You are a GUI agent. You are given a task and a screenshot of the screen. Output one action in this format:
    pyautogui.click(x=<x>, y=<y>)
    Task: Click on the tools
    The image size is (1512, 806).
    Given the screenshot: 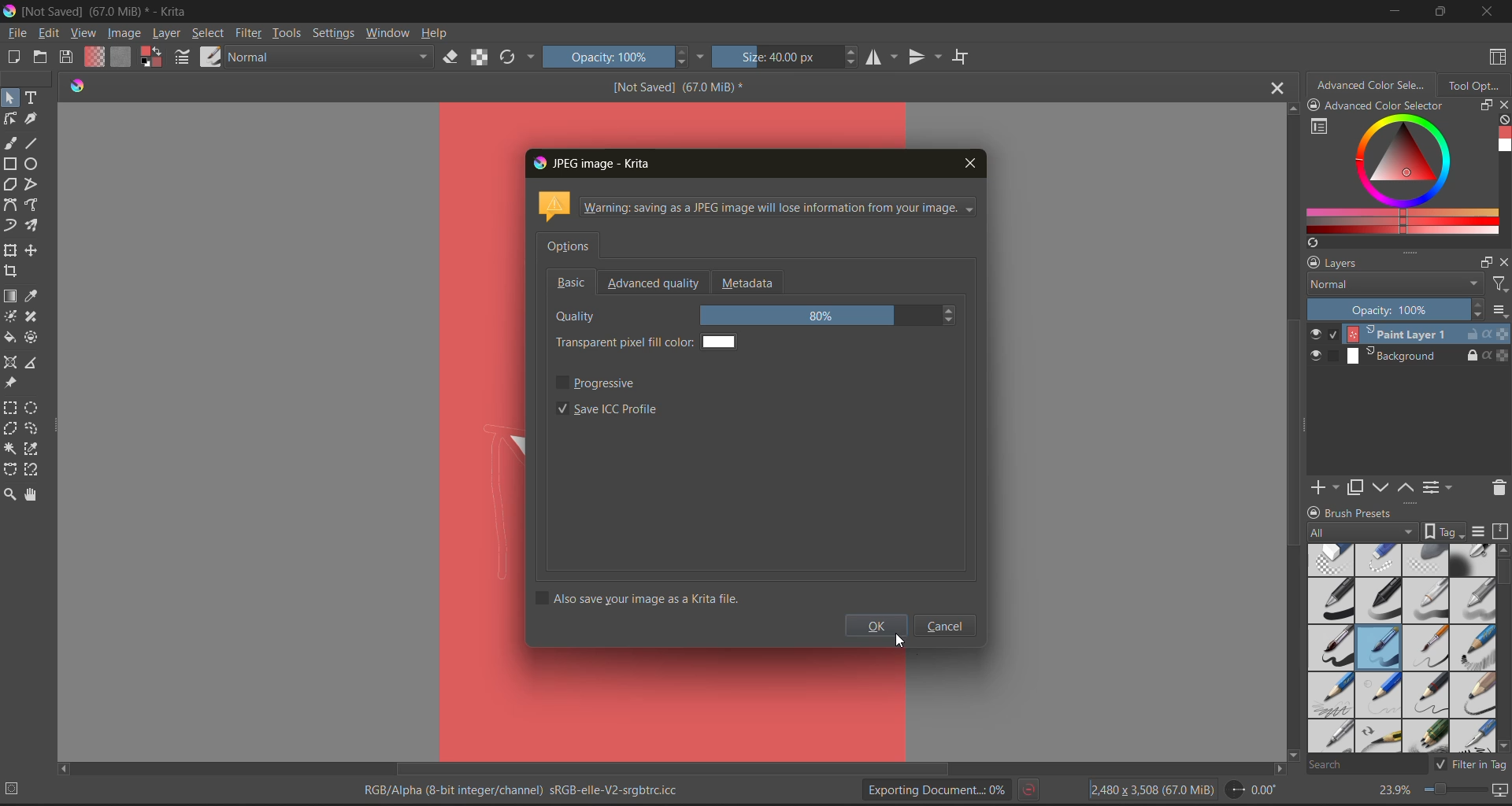 What is the action you would take?
    pyautogui.click(x=11, y=430)
    